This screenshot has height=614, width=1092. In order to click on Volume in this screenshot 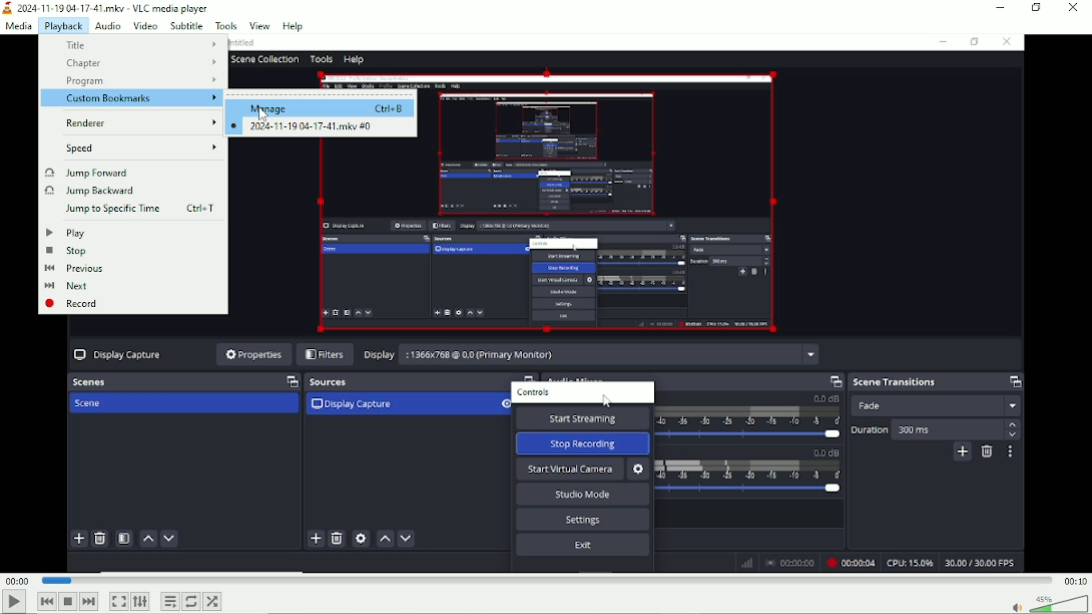, I will do `click(1048, 604)`.